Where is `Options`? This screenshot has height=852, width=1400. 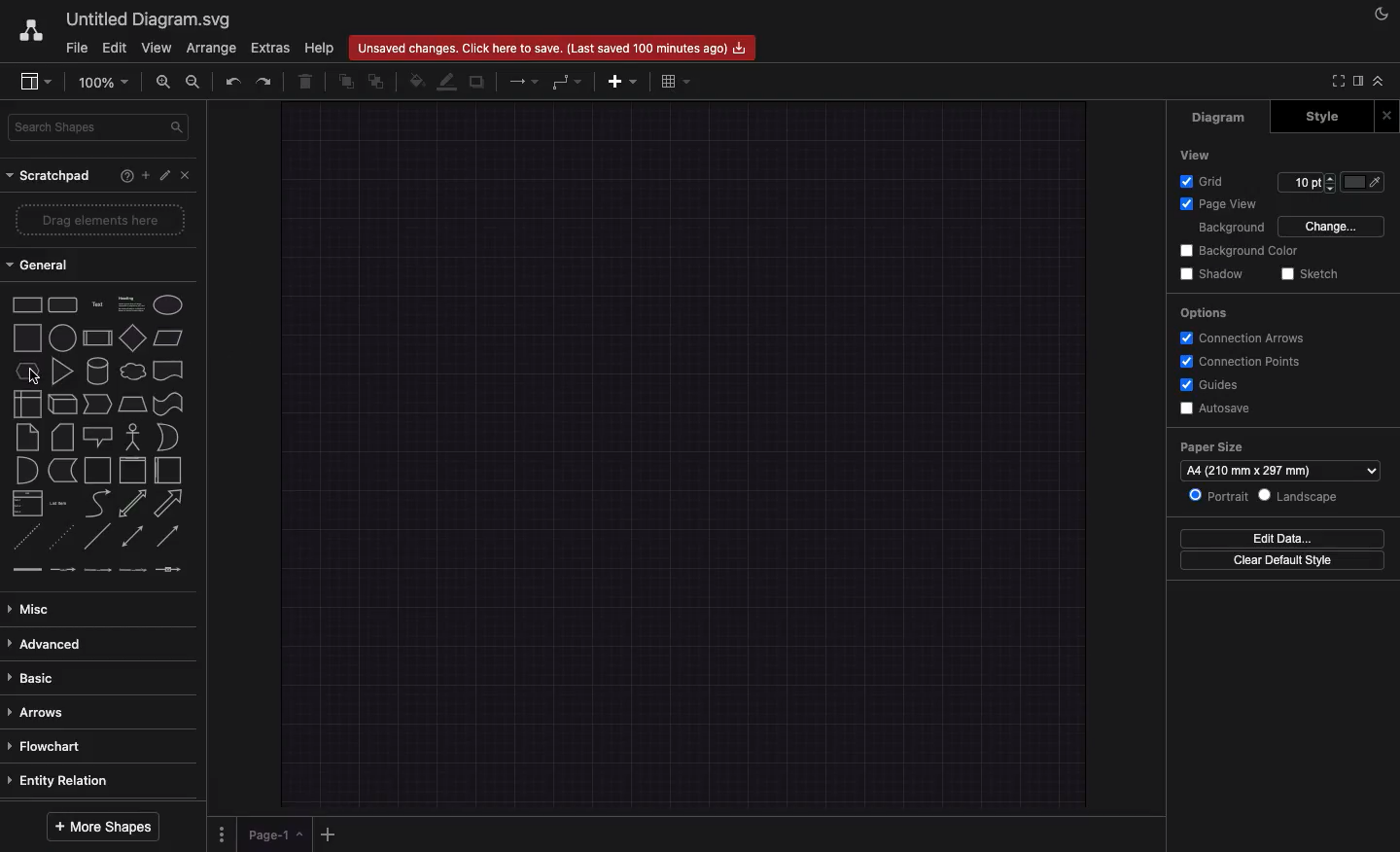
Options is located at coordinates (1209, 313).